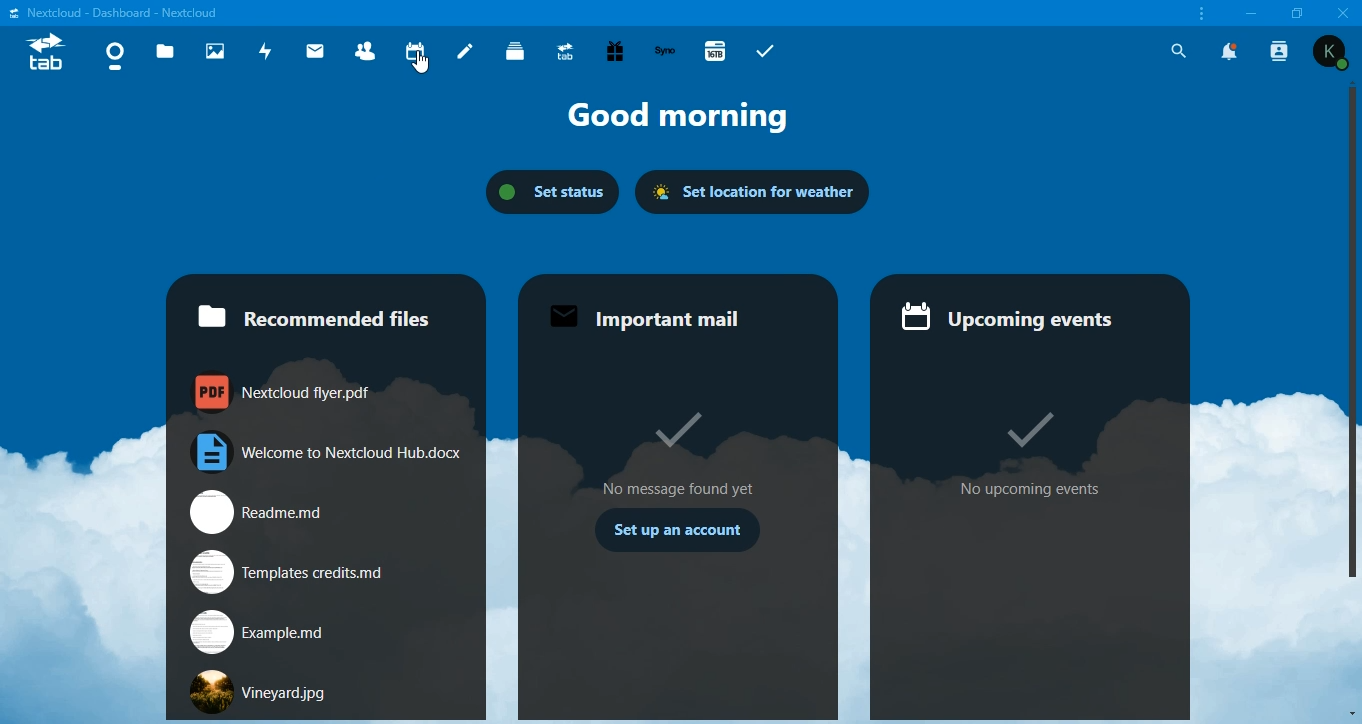 The image size is (1362, 724). What do you see at coordinates (615, 50) in the screenshot?
I see `free trial` at bounding box center [615, 50].